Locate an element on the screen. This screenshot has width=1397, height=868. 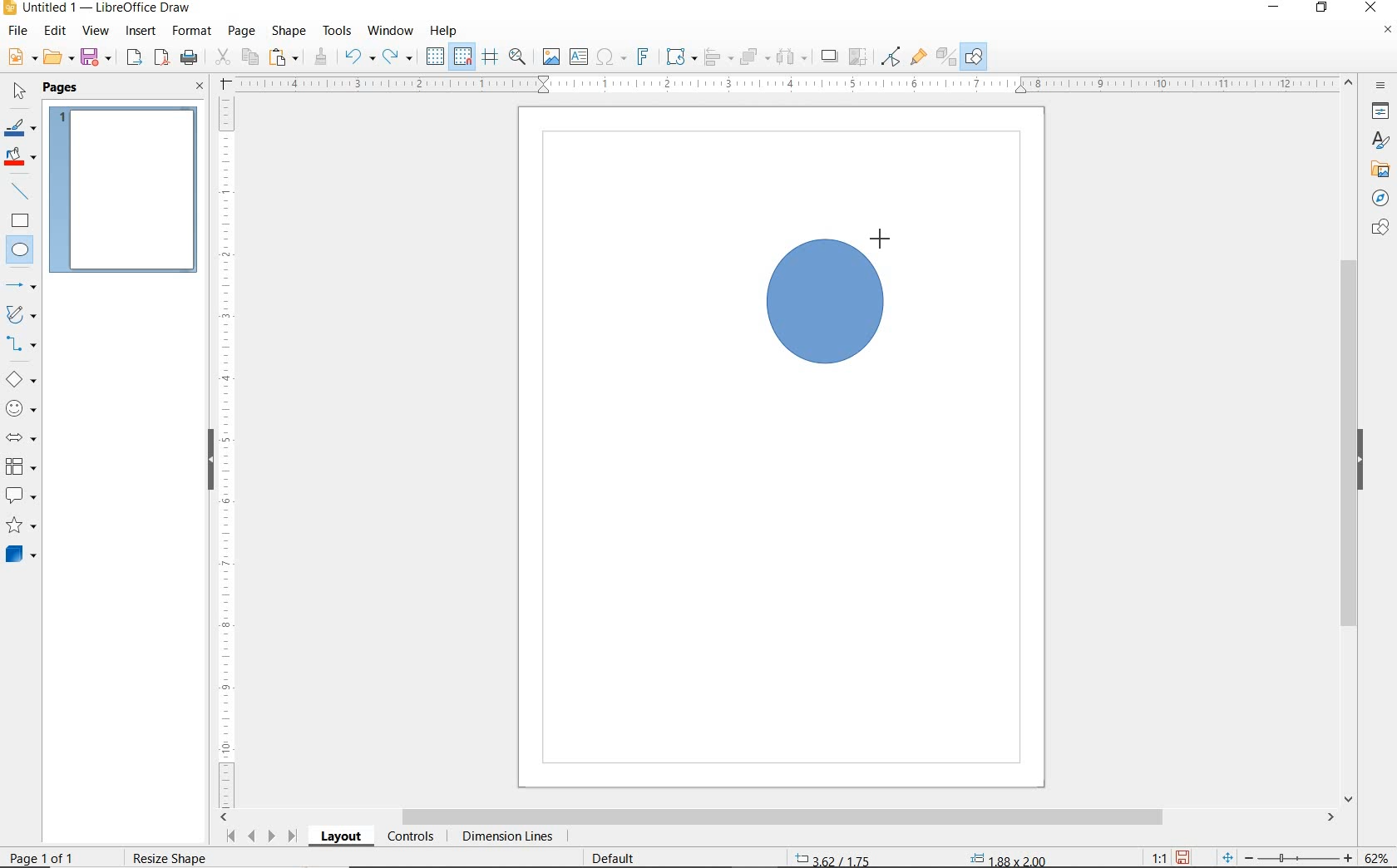
FLOWCHART is located at coordinates (20, 467).